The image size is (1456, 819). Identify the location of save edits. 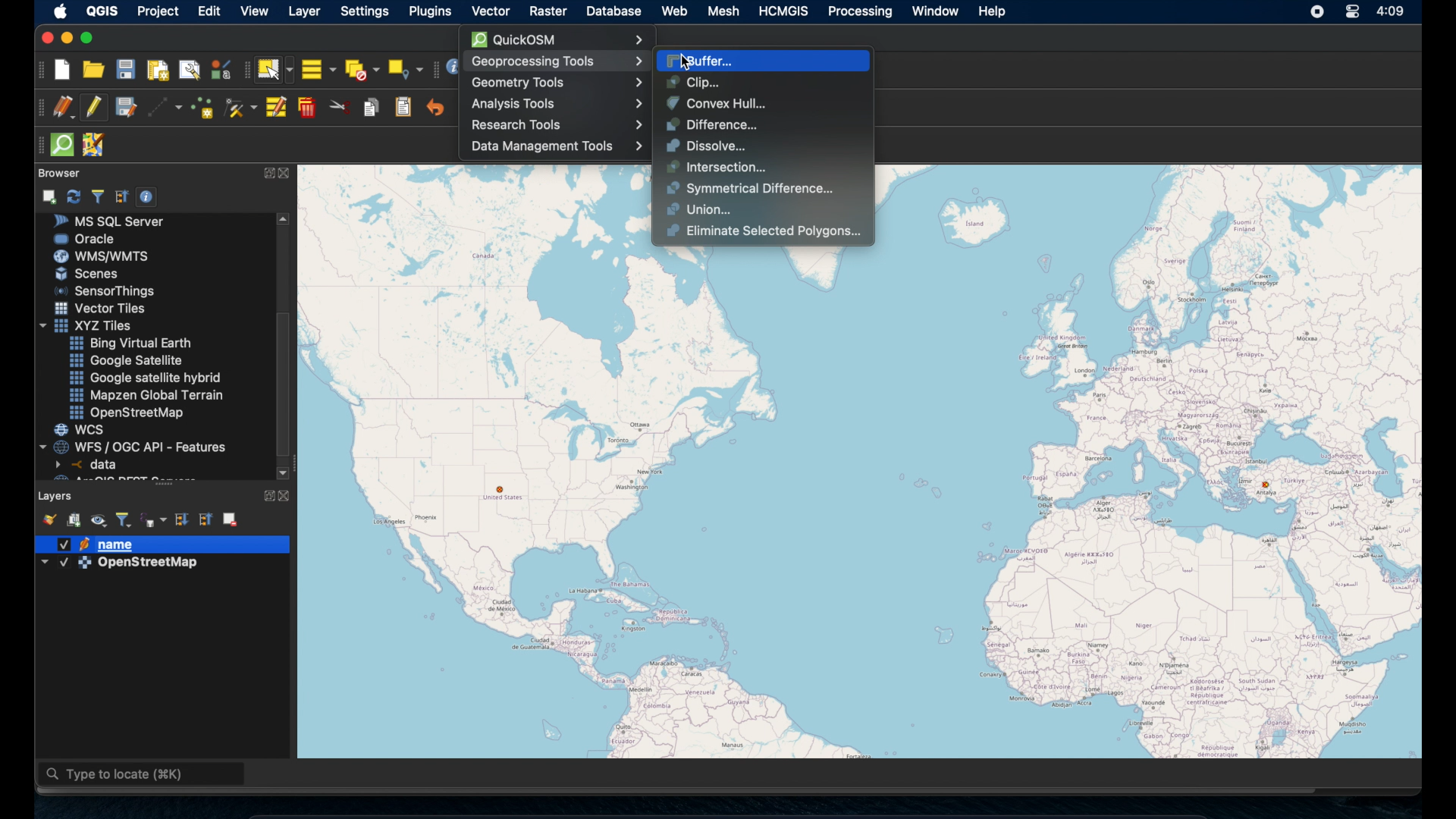
(127, 108).